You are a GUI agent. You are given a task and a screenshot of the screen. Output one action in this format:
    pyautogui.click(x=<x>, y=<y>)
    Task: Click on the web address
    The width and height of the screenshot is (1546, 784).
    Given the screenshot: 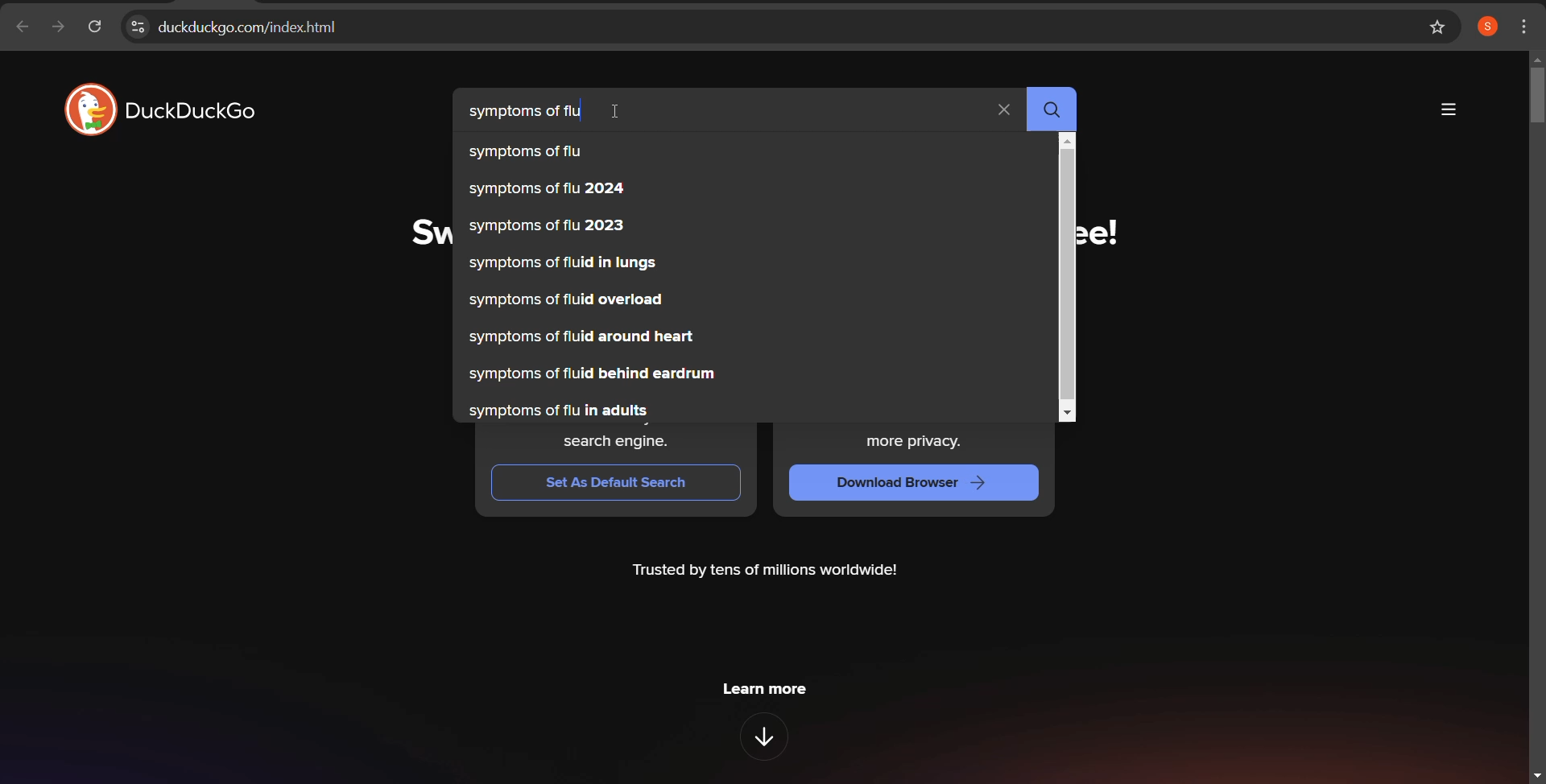 What is the action you would take?
    pyautogui.click(x=756, y=27)
    